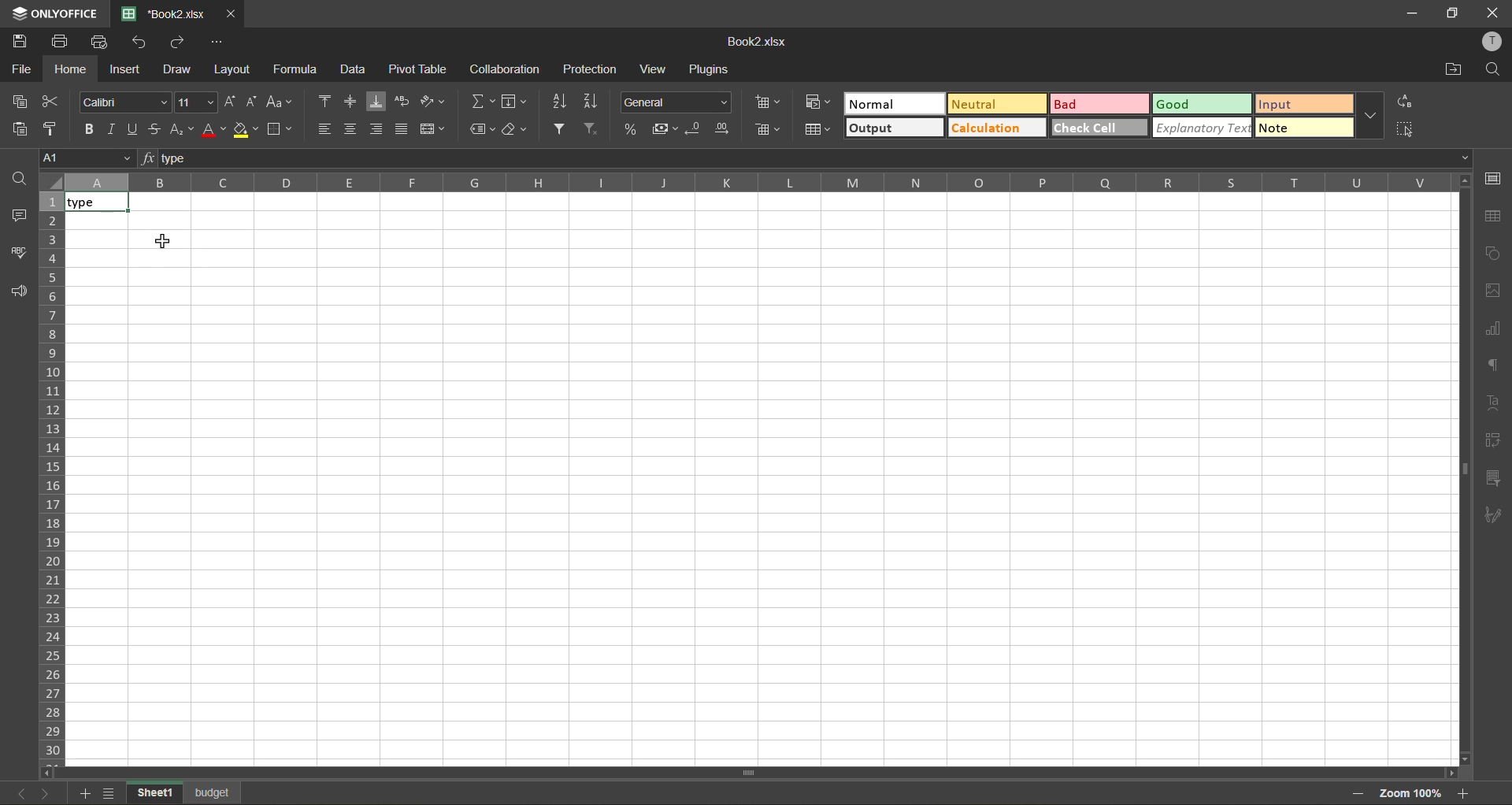 The height and width of the screenshot is (805, 1512). I want to click on output, so click(895, 128).